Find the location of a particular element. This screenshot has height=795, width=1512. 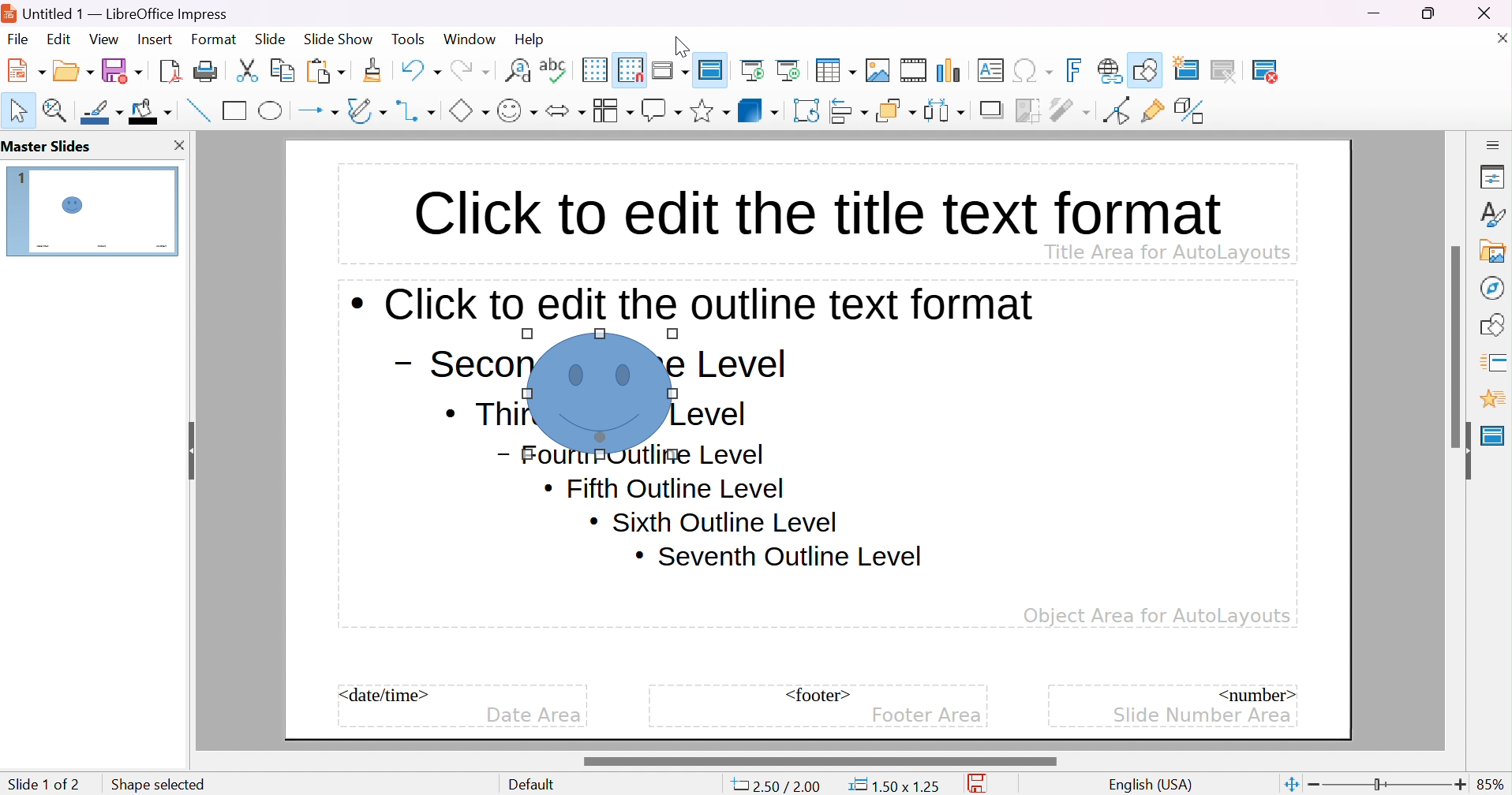

slide 1 of 2 is located at coordinates (43, 784).